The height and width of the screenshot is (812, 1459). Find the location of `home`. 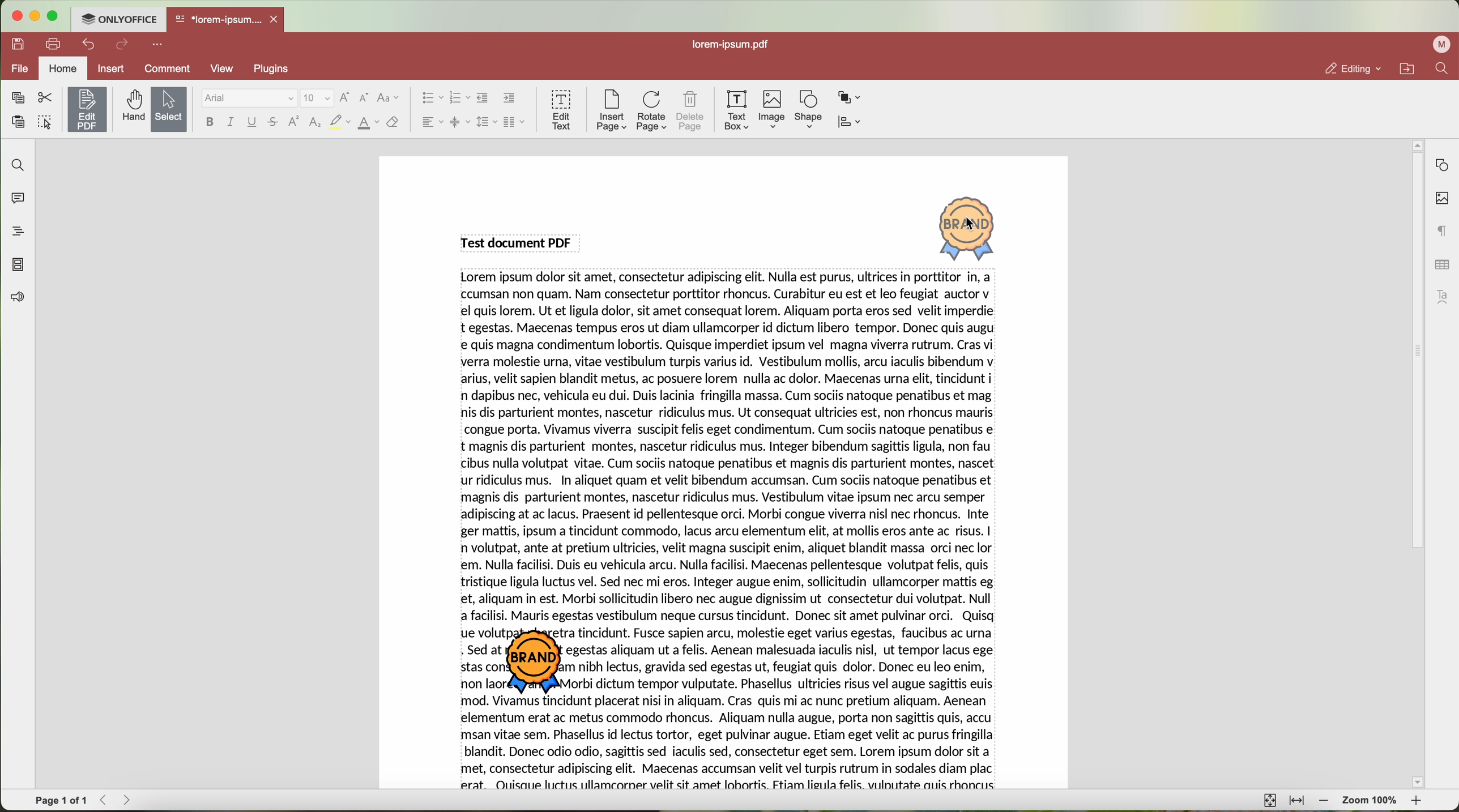

home is located at coordinates (63, 70).